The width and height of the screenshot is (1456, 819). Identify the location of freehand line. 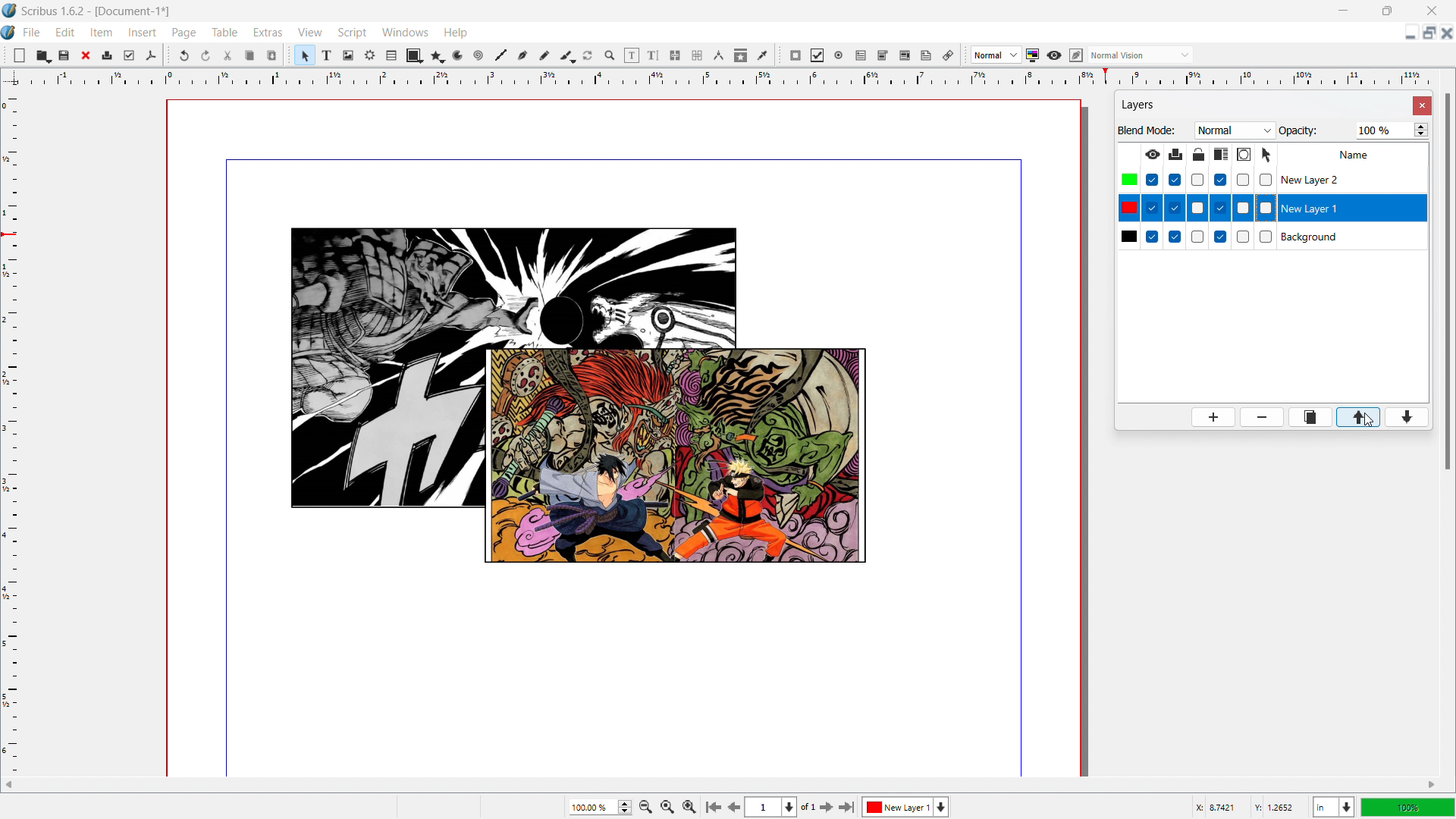
(544, 56).